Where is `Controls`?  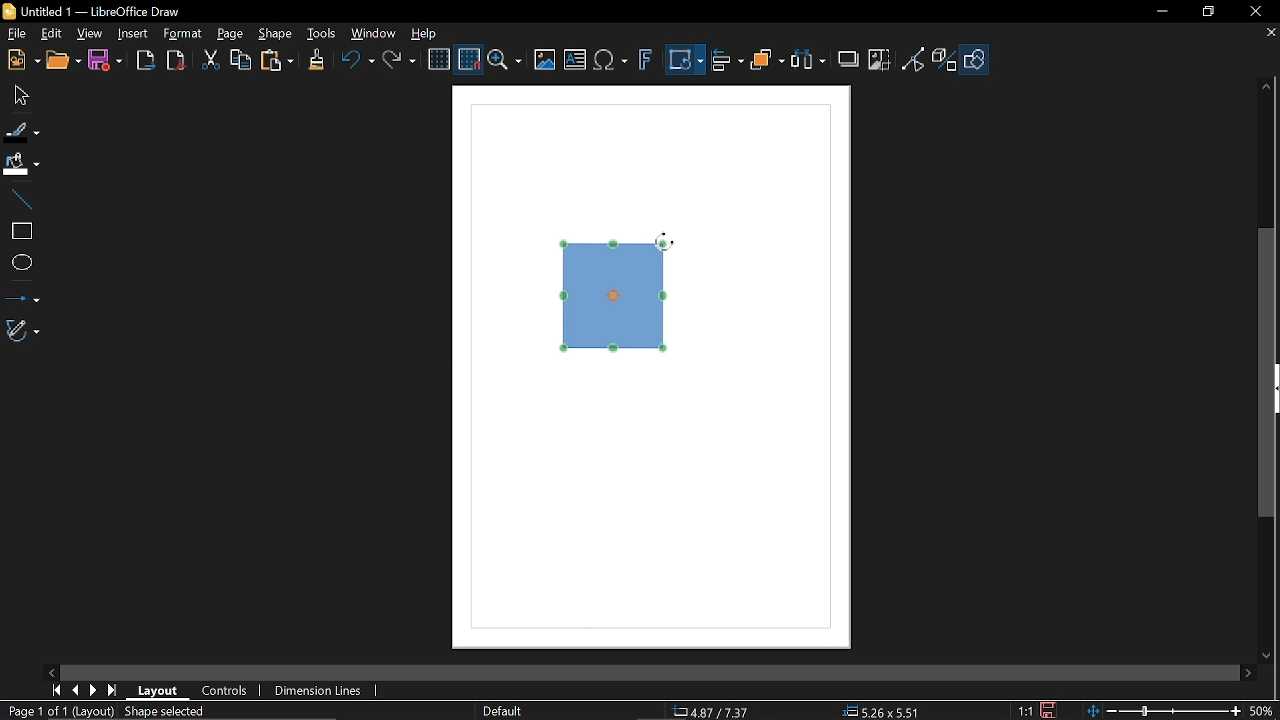
Controls is located at coordinates (224, 691).